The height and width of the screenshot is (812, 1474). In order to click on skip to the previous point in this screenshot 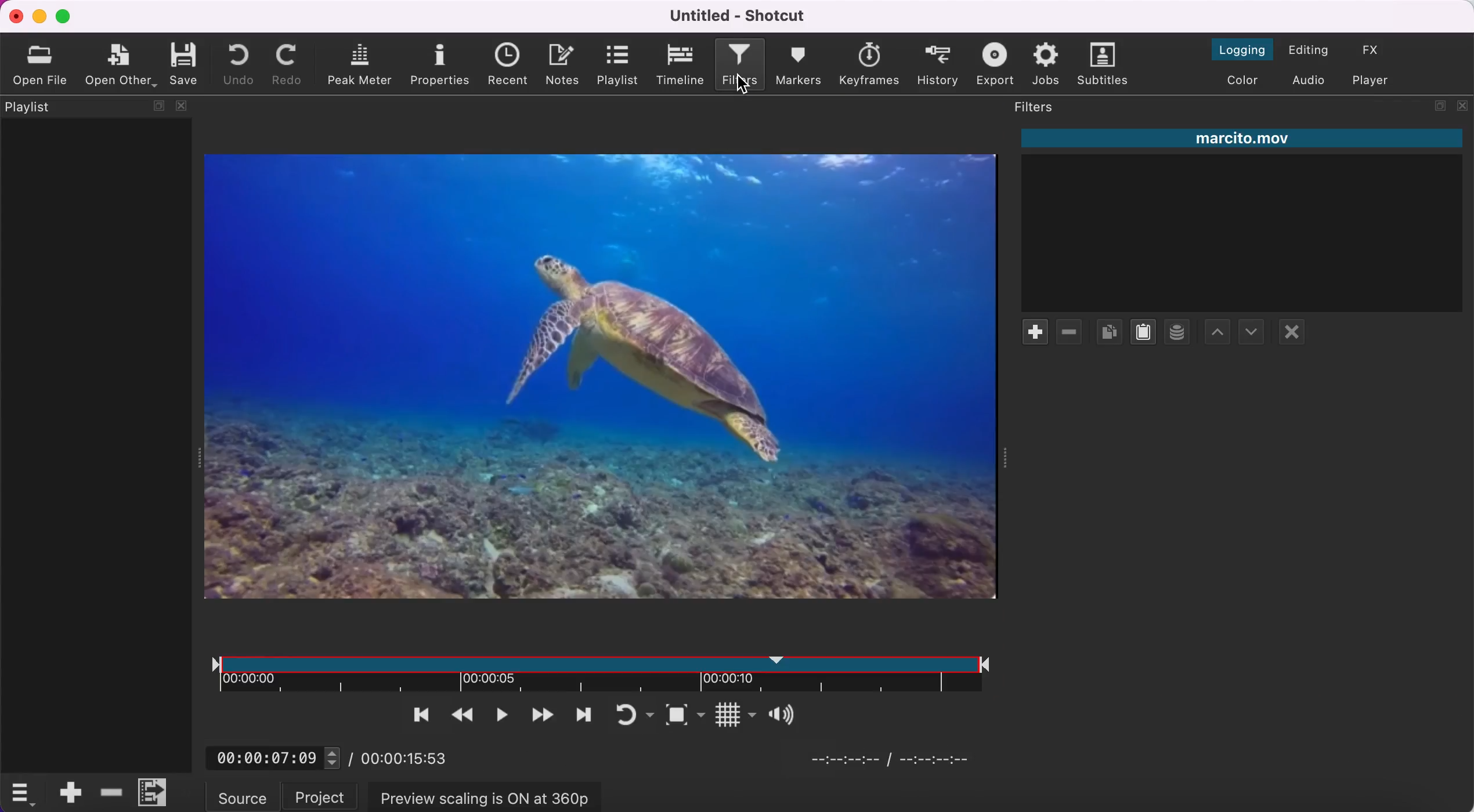, I will do `click(414, 715)`.